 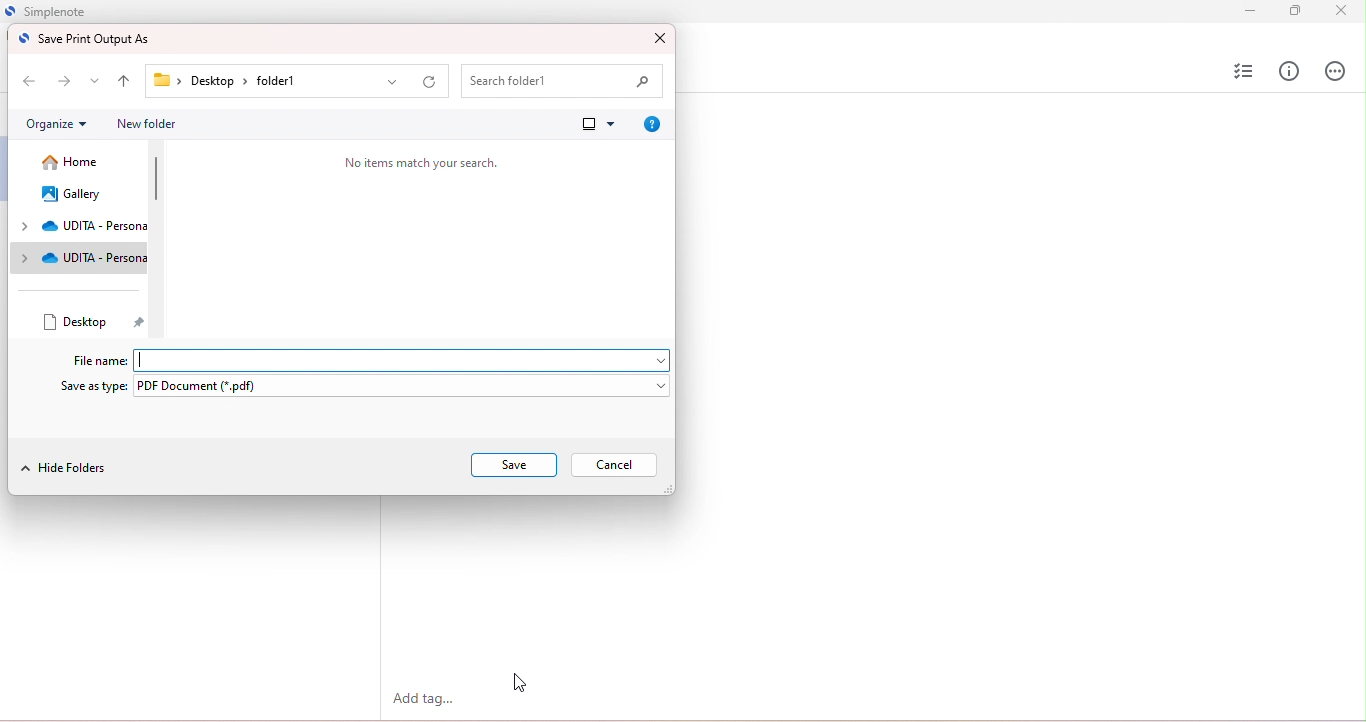 What do you see at coordinates (429, 83) in the screenshot?
I see `refresh` at bounding box center [429, 83].